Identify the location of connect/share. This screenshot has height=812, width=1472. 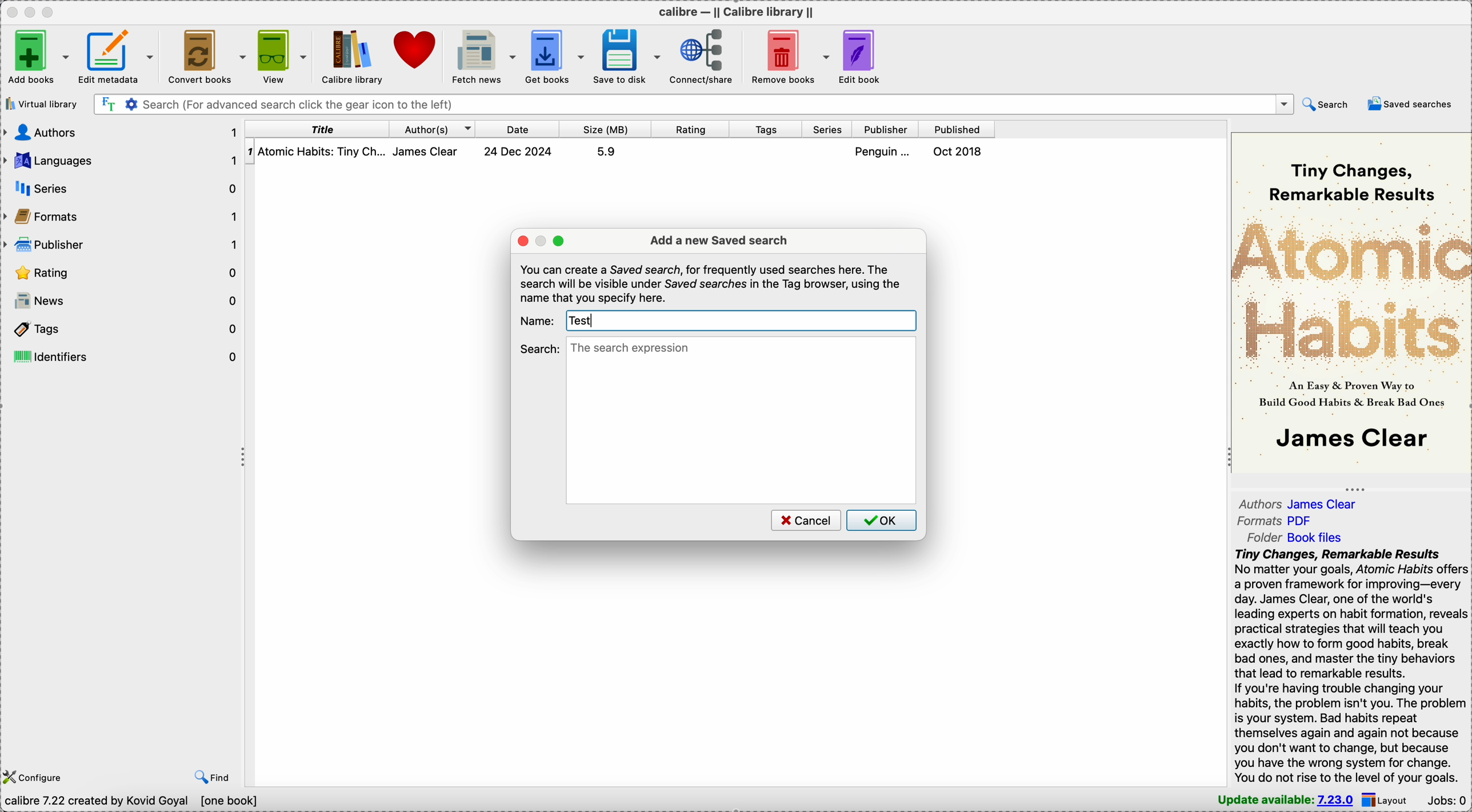
(706, 55).